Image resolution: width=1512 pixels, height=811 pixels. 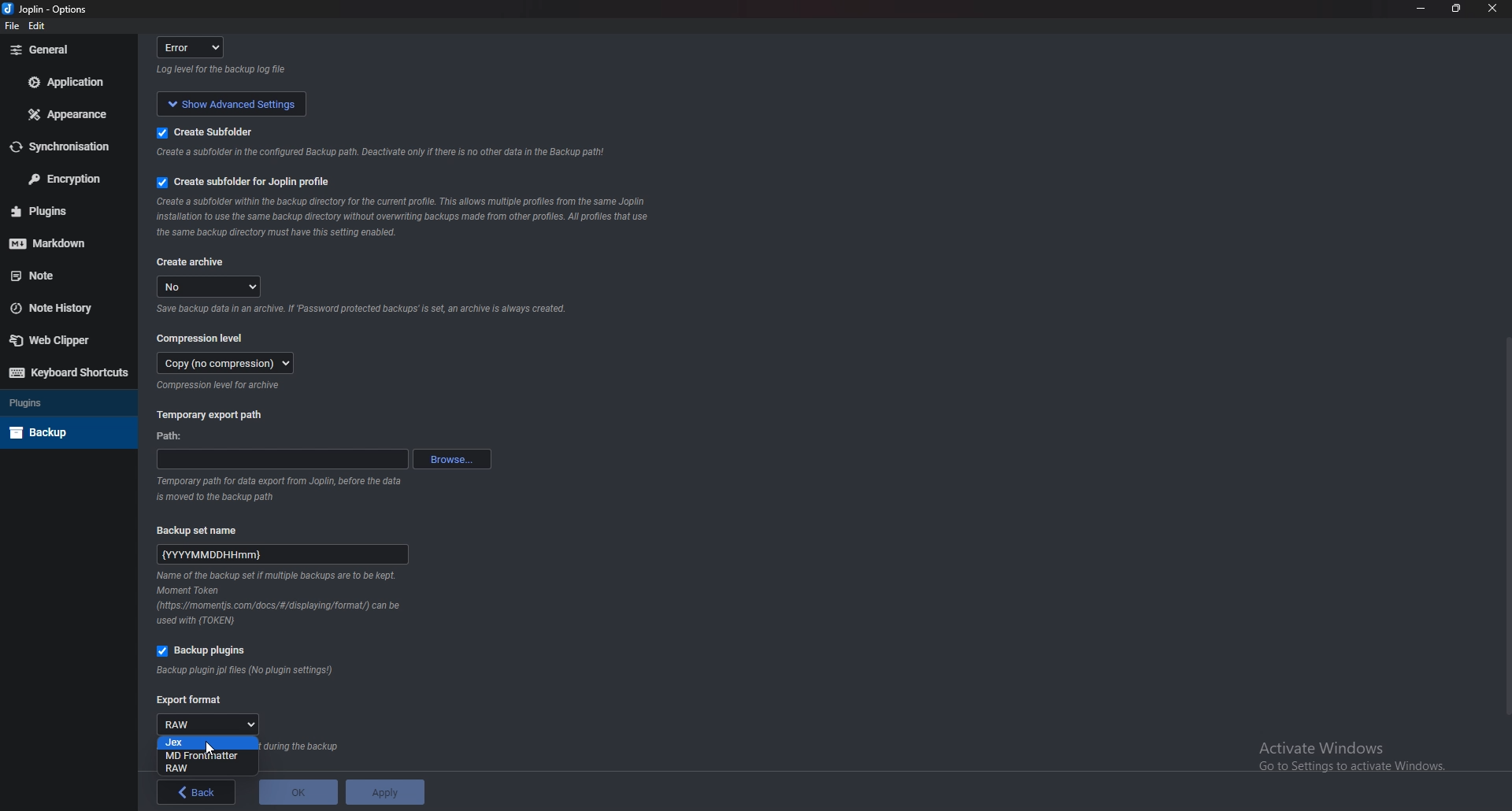 I want to click on Browse, so click(x=452, y=457).